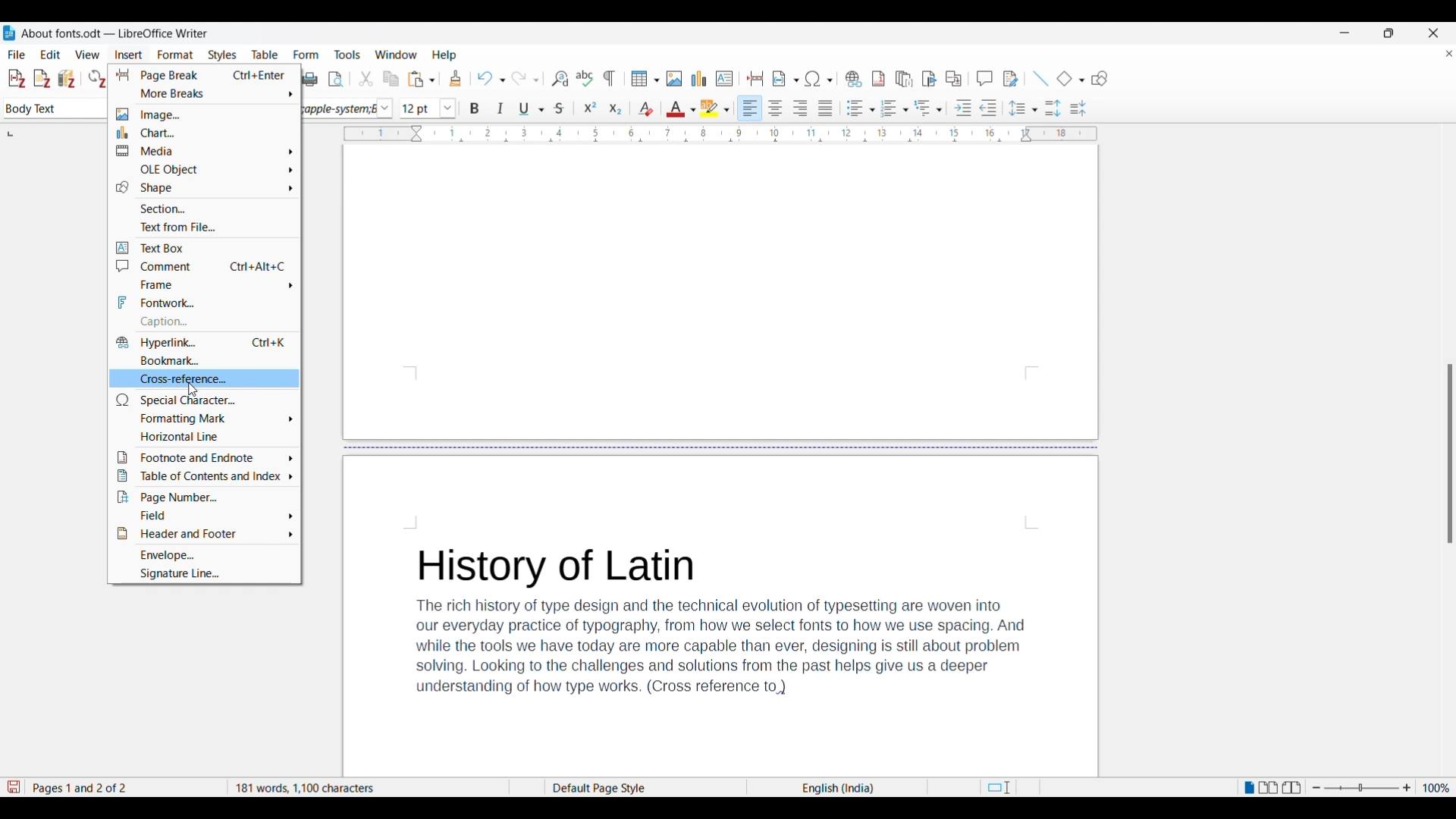  I want to click on Signature line, so click(204, 573).